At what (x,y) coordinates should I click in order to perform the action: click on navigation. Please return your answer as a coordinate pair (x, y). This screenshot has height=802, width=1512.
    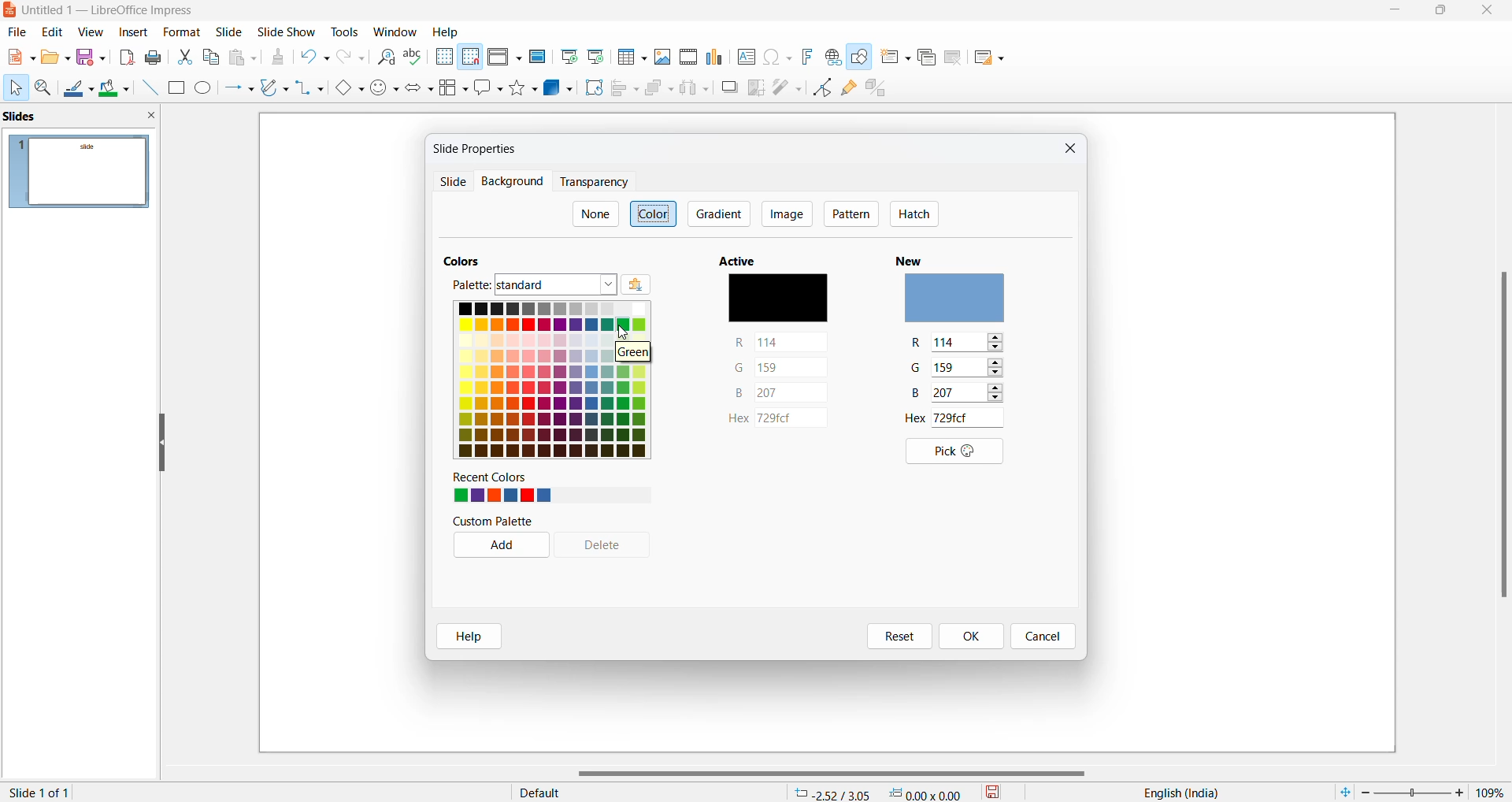
    Looking at the image, I should click on (786, 213).